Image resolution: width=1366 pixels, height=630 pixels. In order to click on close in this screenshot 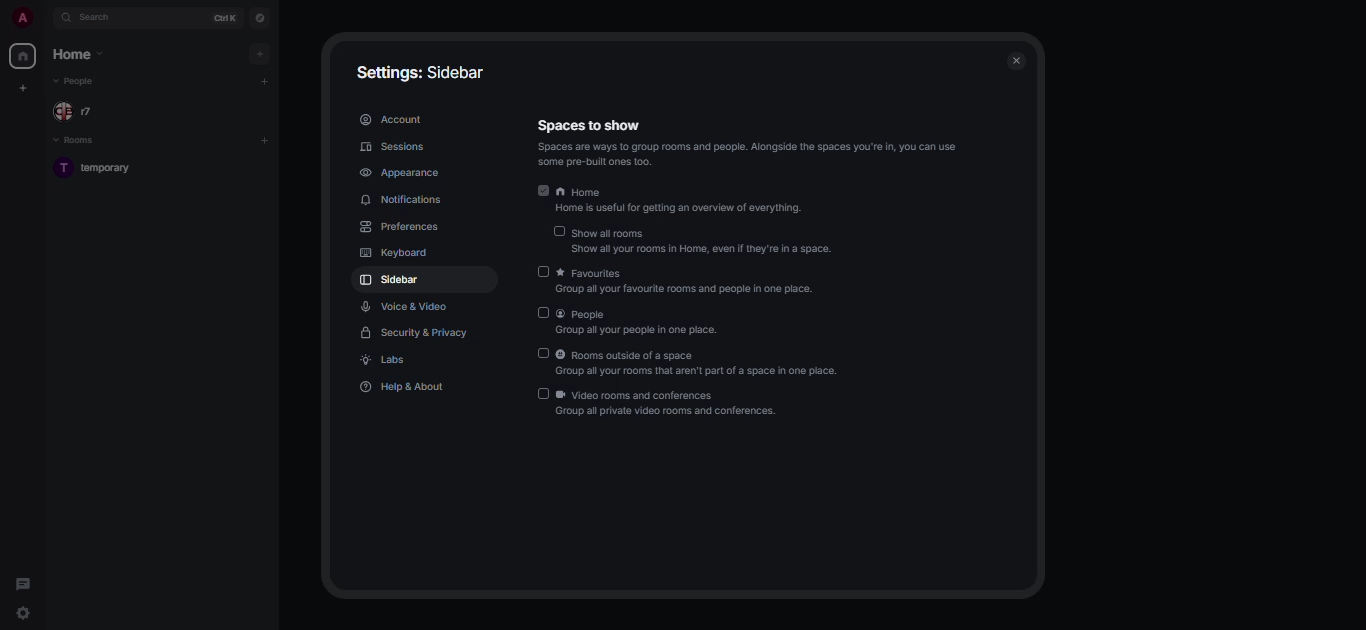, I will do `click(1020, 59)`.